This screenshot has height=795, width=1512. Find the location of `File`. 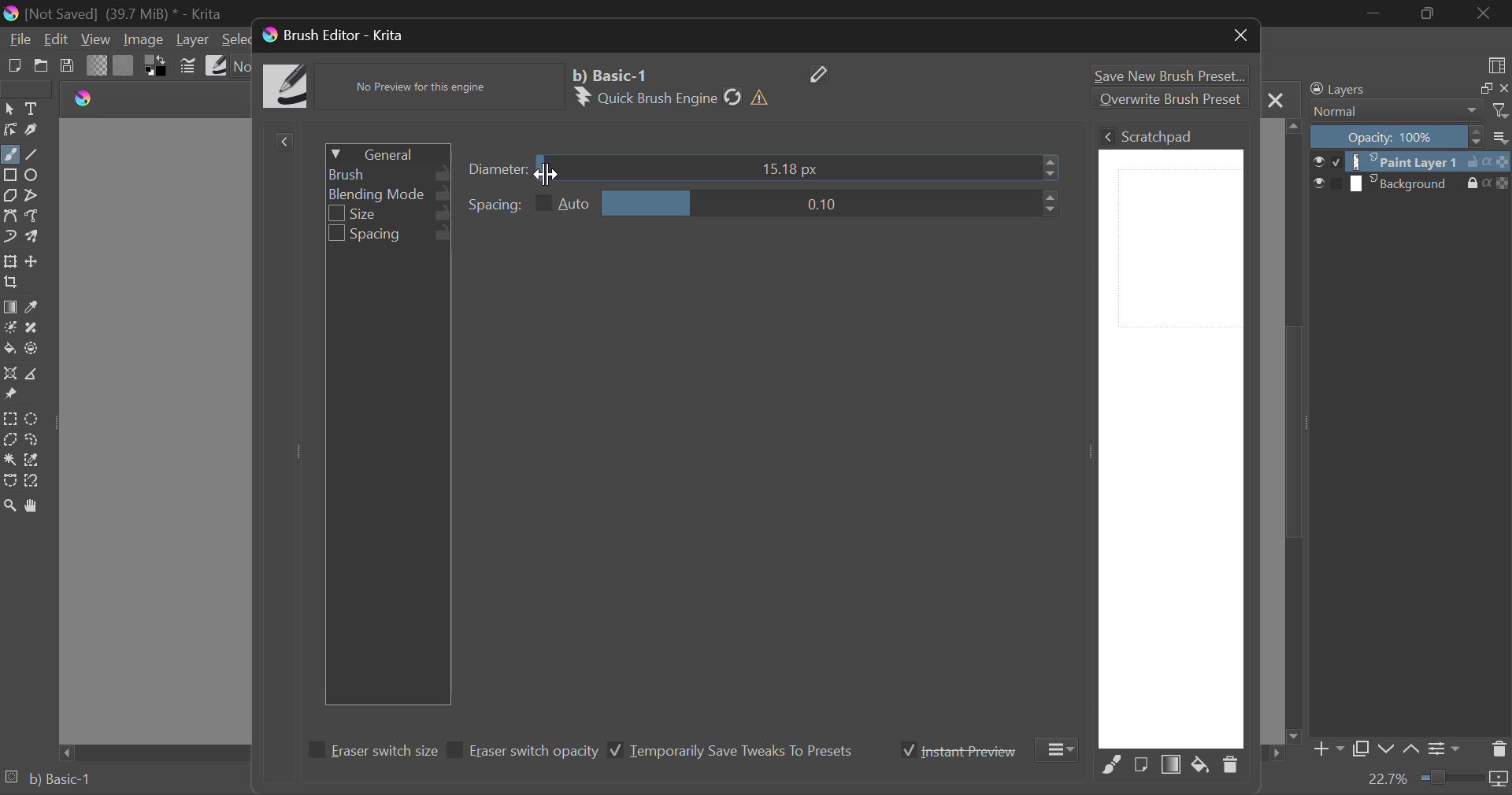

File is located at coordinates (19, 39).